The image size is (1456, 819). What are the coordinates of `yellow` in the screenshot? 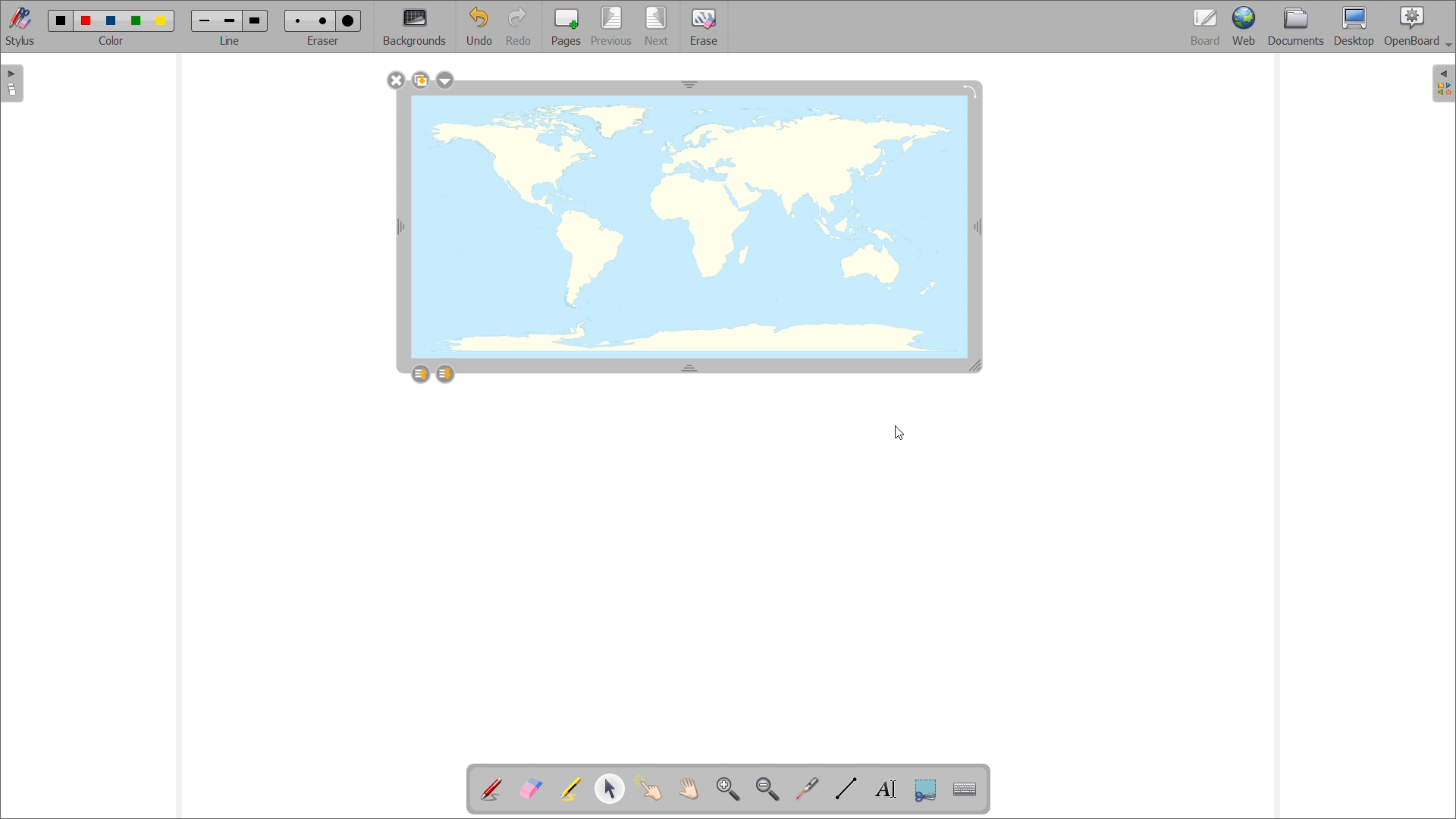 It's located at (162, 21).